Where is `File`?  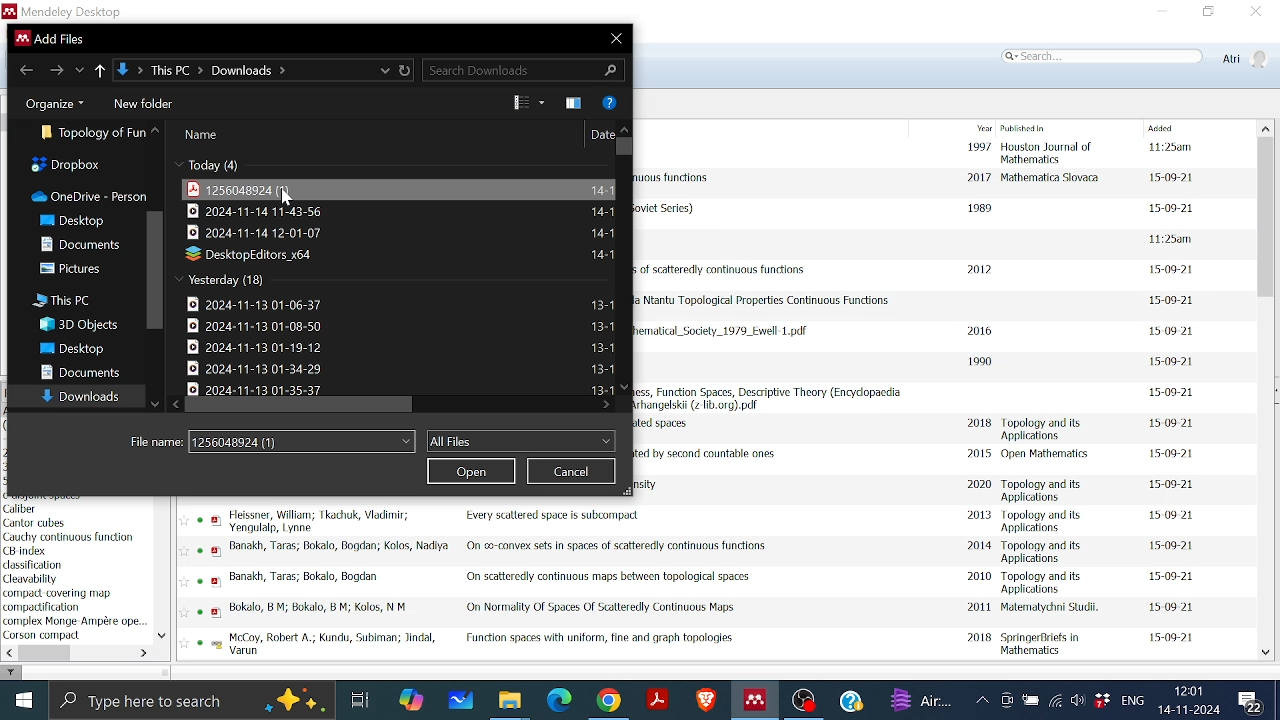
File is located at coordinates (253, 213).